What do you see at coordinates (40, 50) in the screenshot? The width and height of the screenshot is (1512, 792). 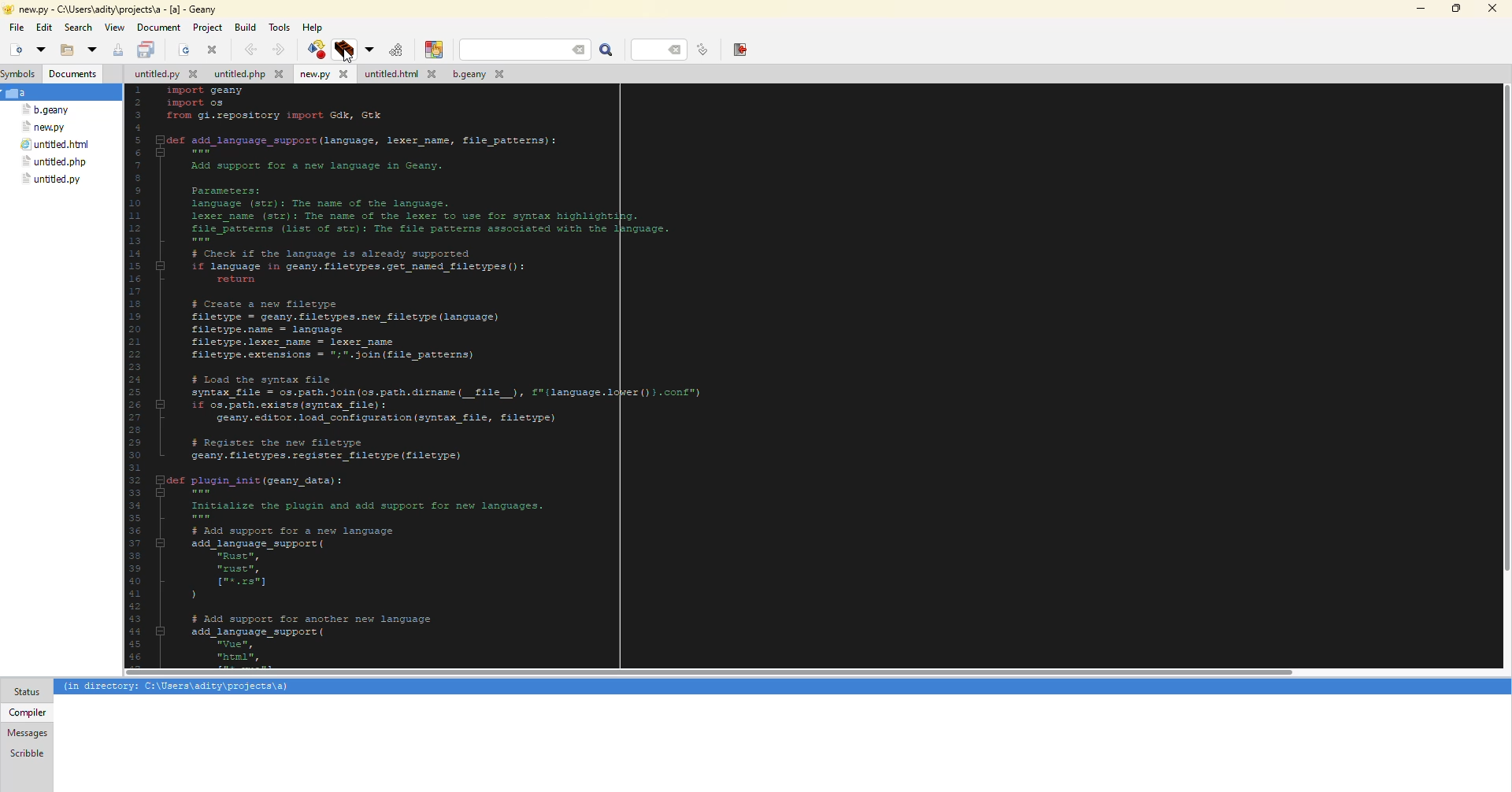 I see `open` at bounding box center [40, 50].